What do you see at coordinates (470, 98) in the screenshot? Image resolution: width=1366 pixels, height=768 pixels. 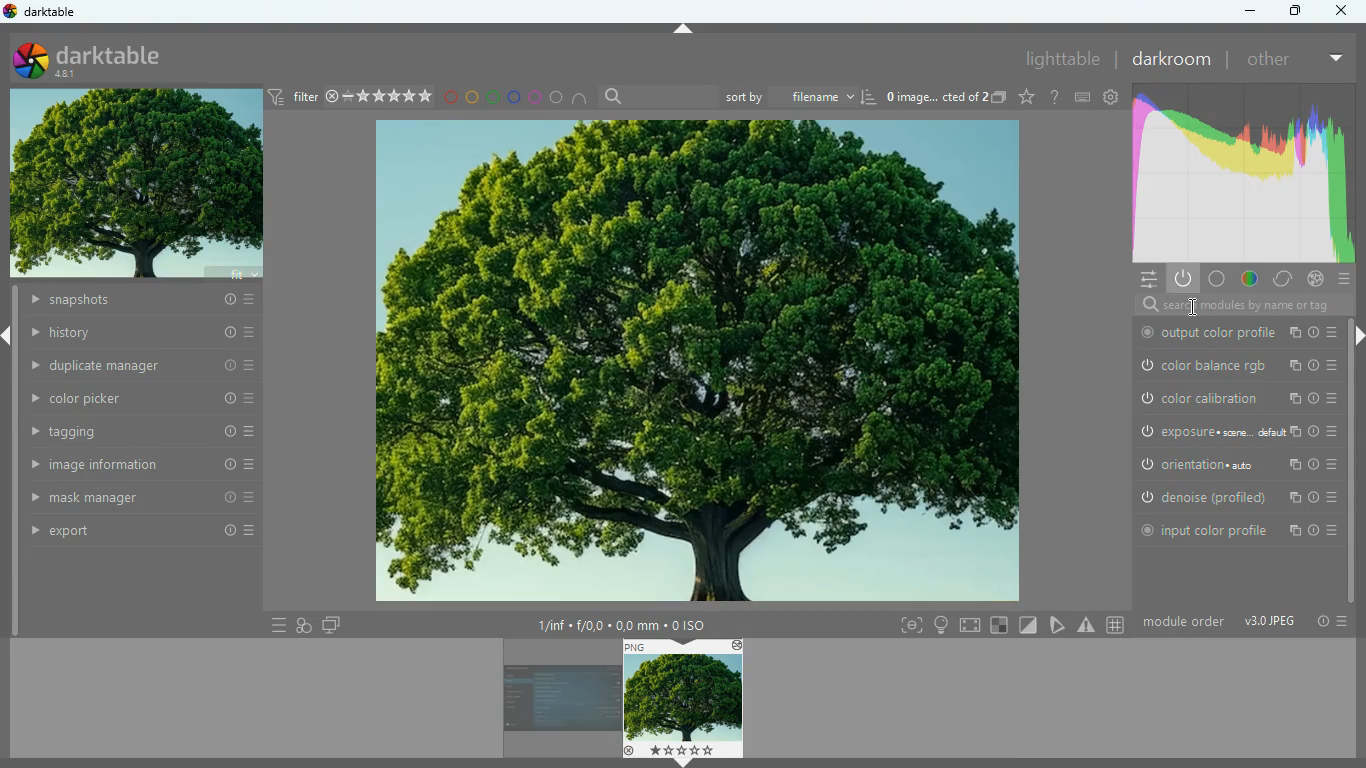 I see `yellow` at bounding box center [470, 98].